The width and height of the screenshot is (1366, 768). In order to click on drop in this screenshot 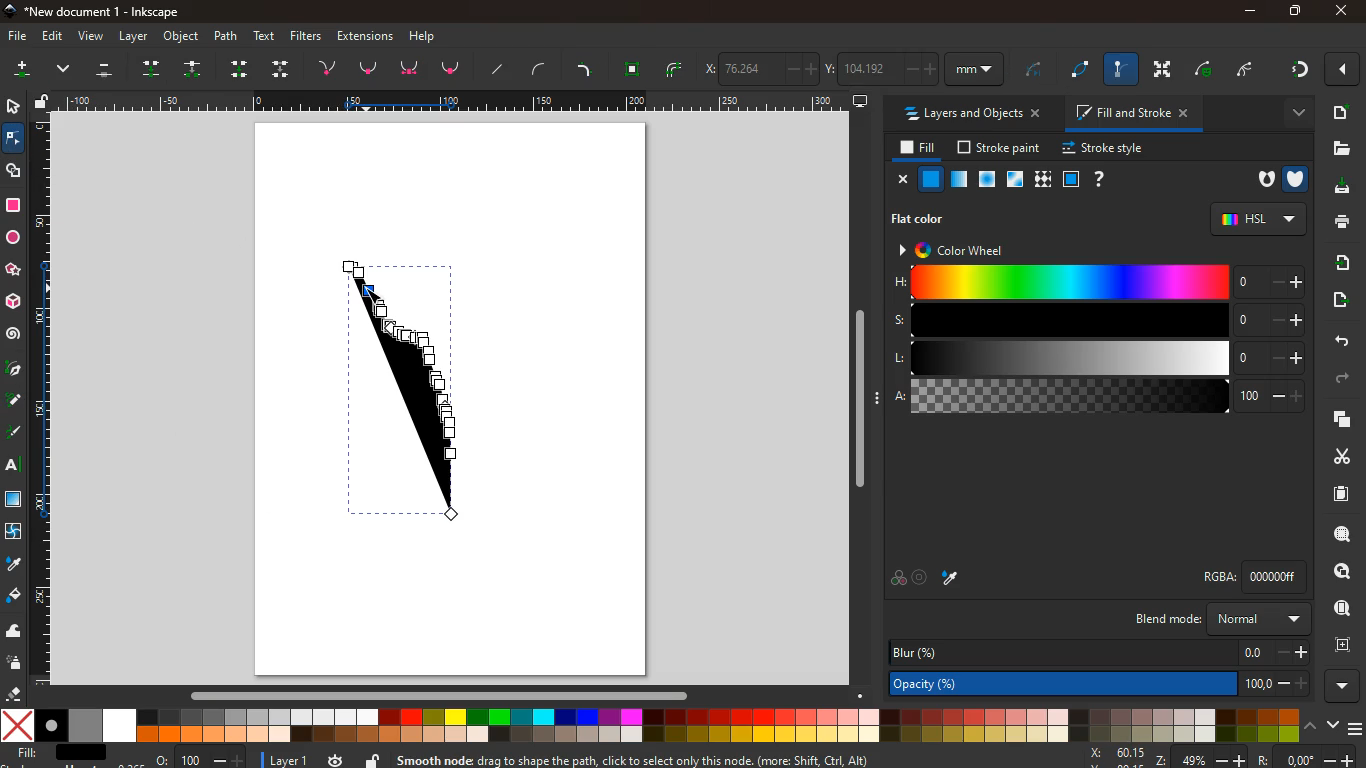, I will do `click(156, 68)`.